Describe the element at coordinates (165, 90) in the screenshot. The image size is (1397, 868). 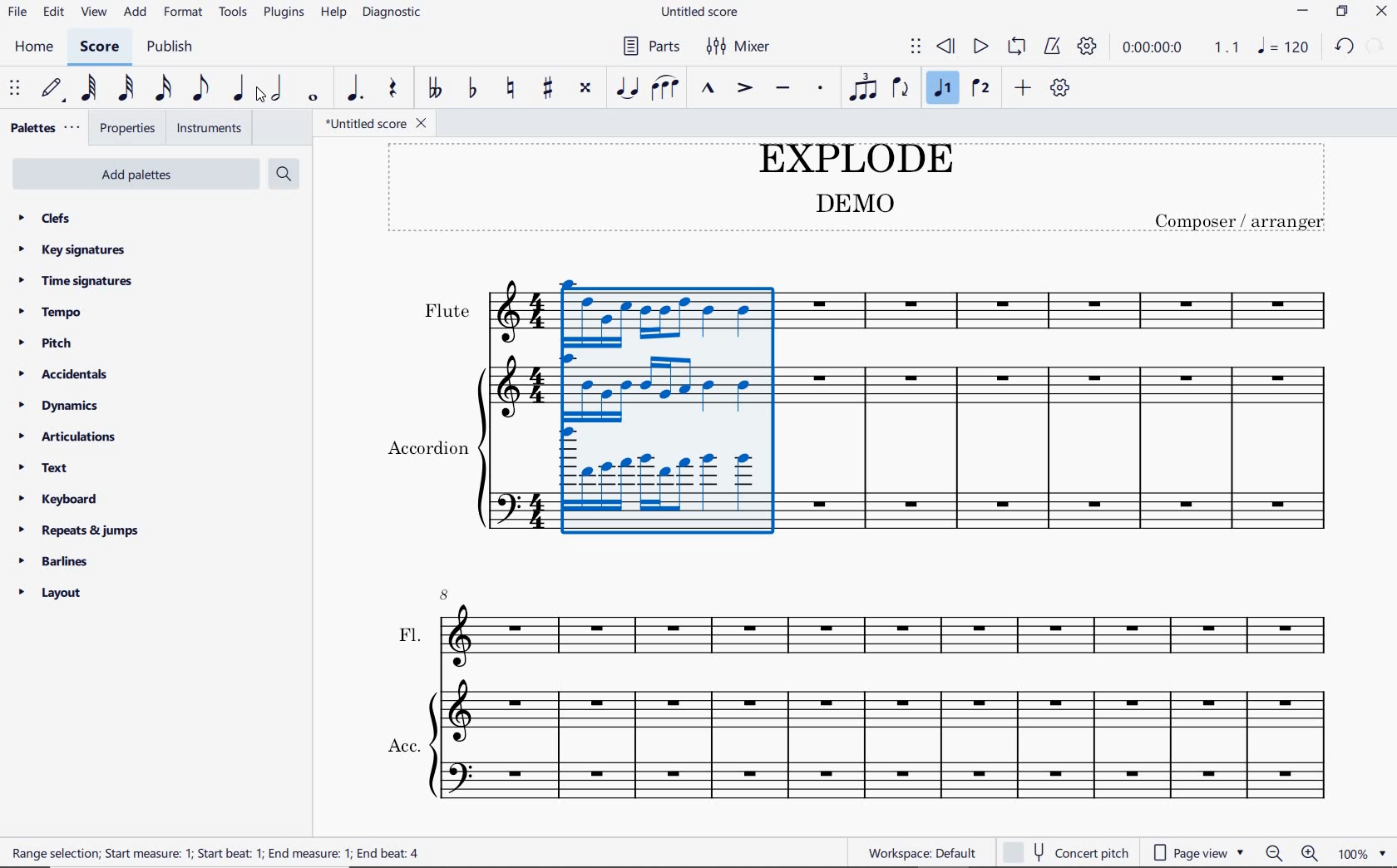
I see `16th note` at that location.